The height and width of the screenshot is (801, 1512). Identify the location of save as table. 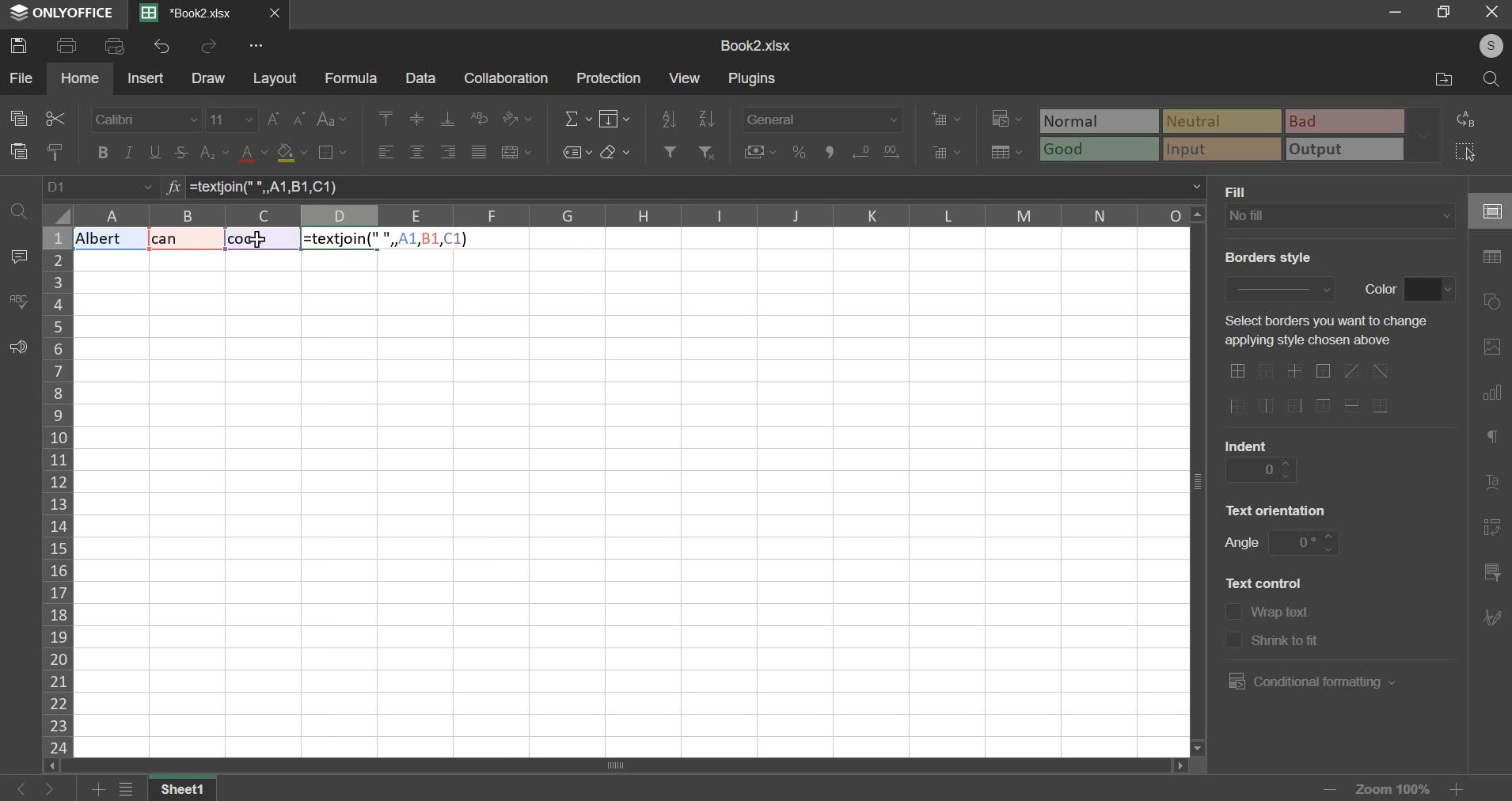
(1008, 153).